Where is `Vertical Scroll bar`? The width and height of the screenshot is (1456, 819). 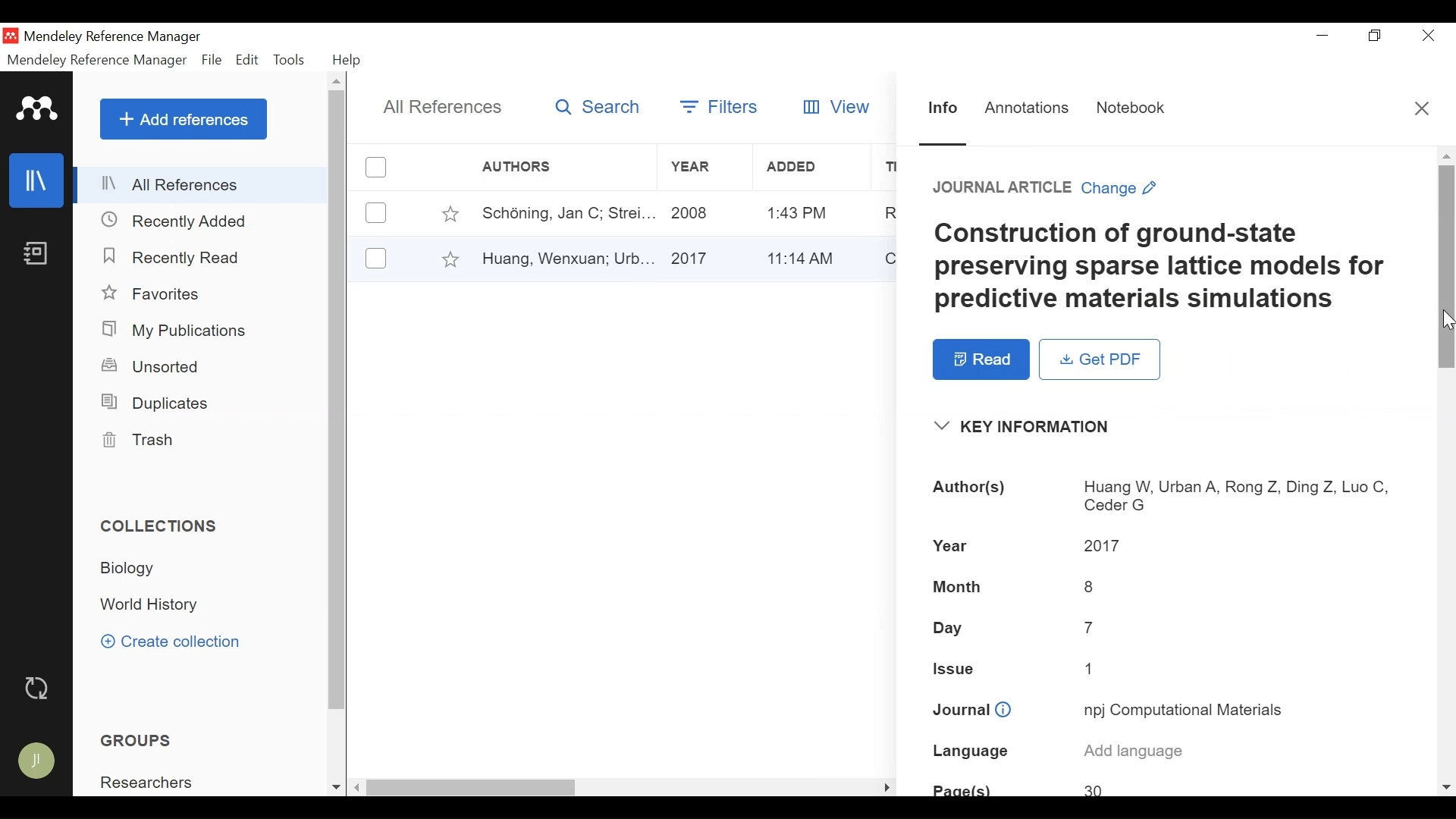 Vertical Scroll bar is located at coordinates (474, 789).